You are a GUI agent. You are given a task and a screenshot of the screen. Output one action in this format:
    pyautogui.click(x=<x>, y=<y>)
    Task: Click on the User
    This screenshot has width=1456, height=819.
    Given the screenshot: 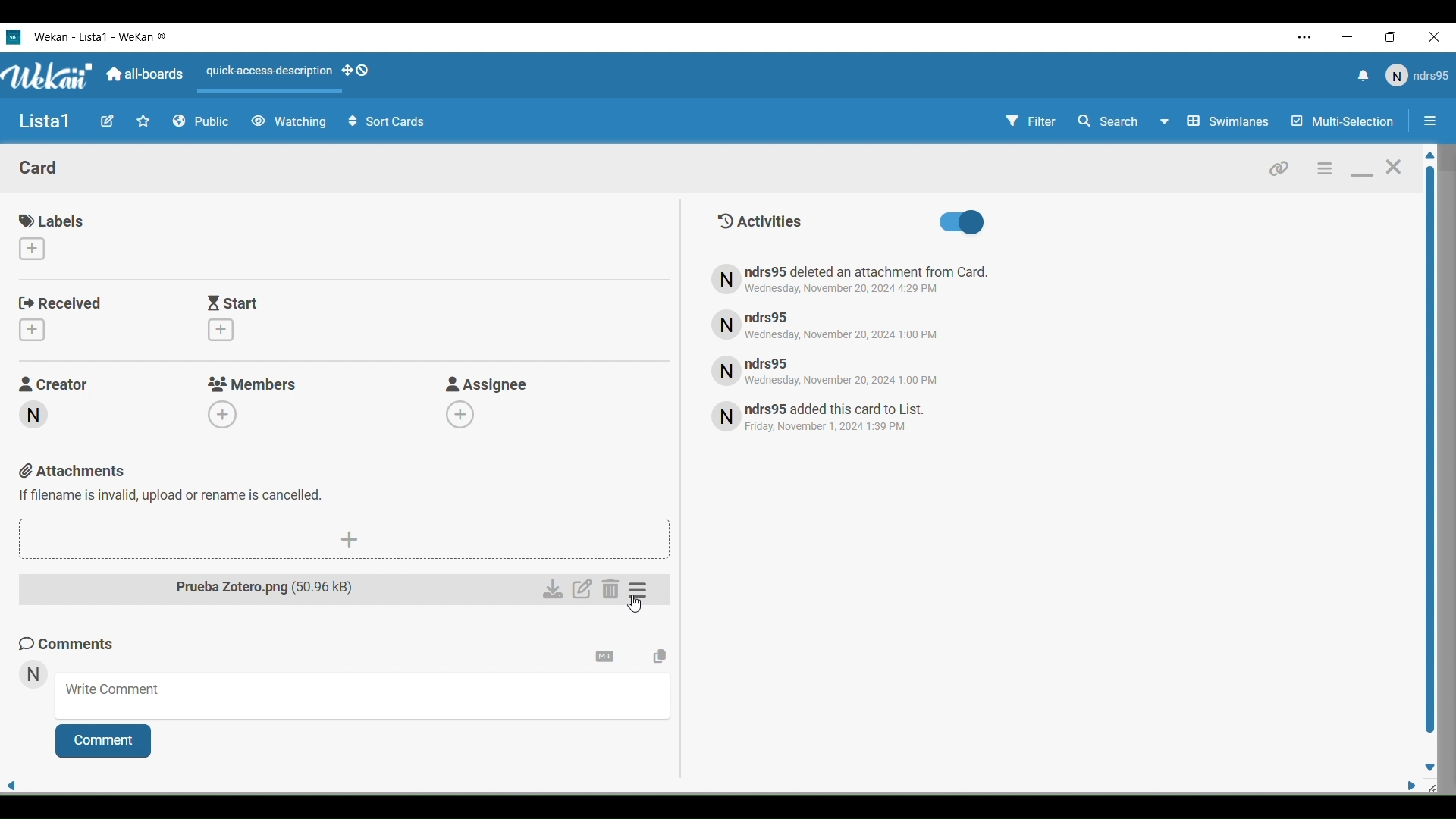 What is the action you would take?
    pyautogui.click(x=1416, y=76)
    